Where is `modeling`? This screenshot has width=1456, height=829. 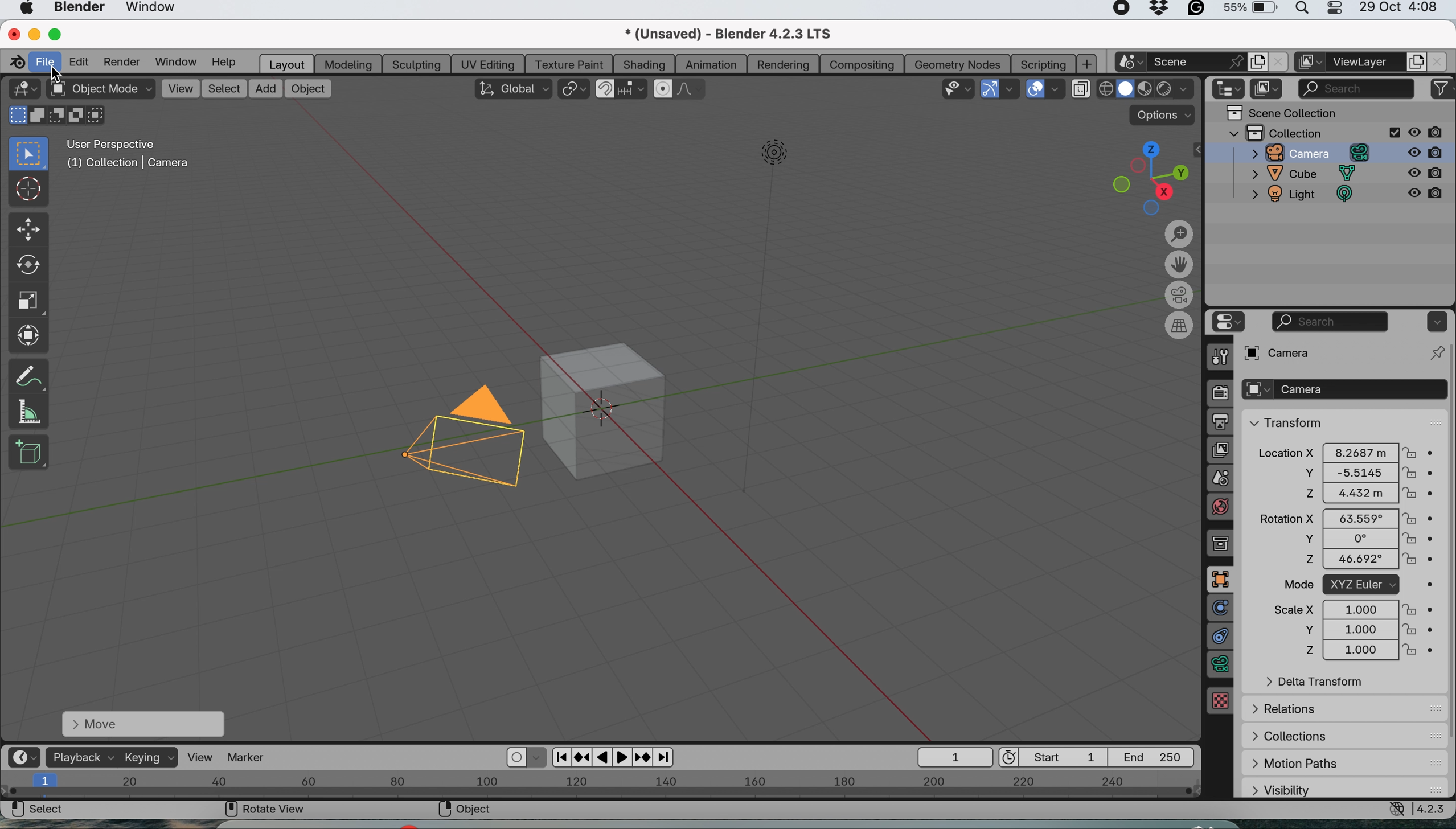 modeling is located at coordinates (349, 64).